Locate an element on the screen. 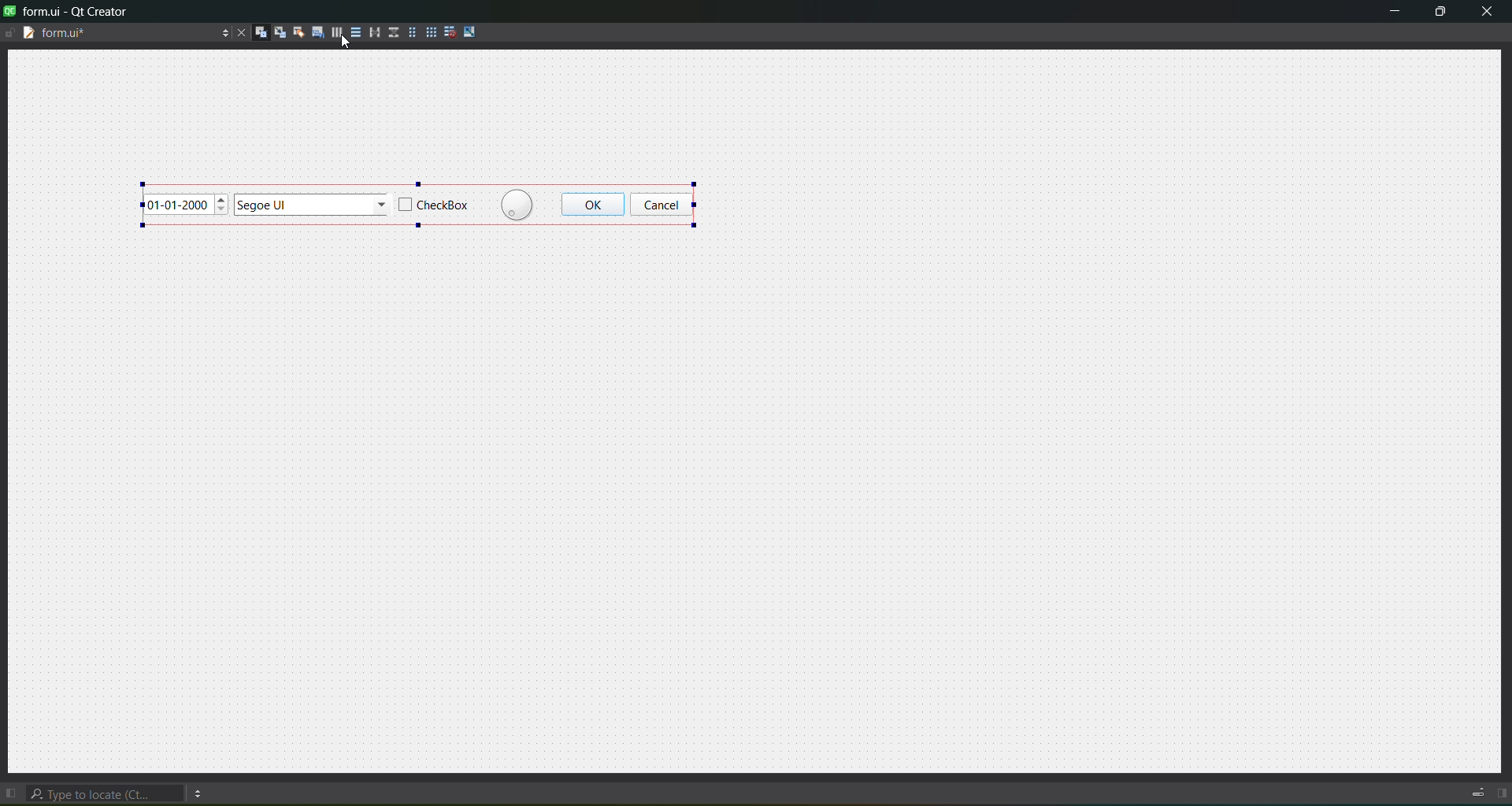 The image size is (1512, 806). layout in a grid is located at coordinates (429, 32).